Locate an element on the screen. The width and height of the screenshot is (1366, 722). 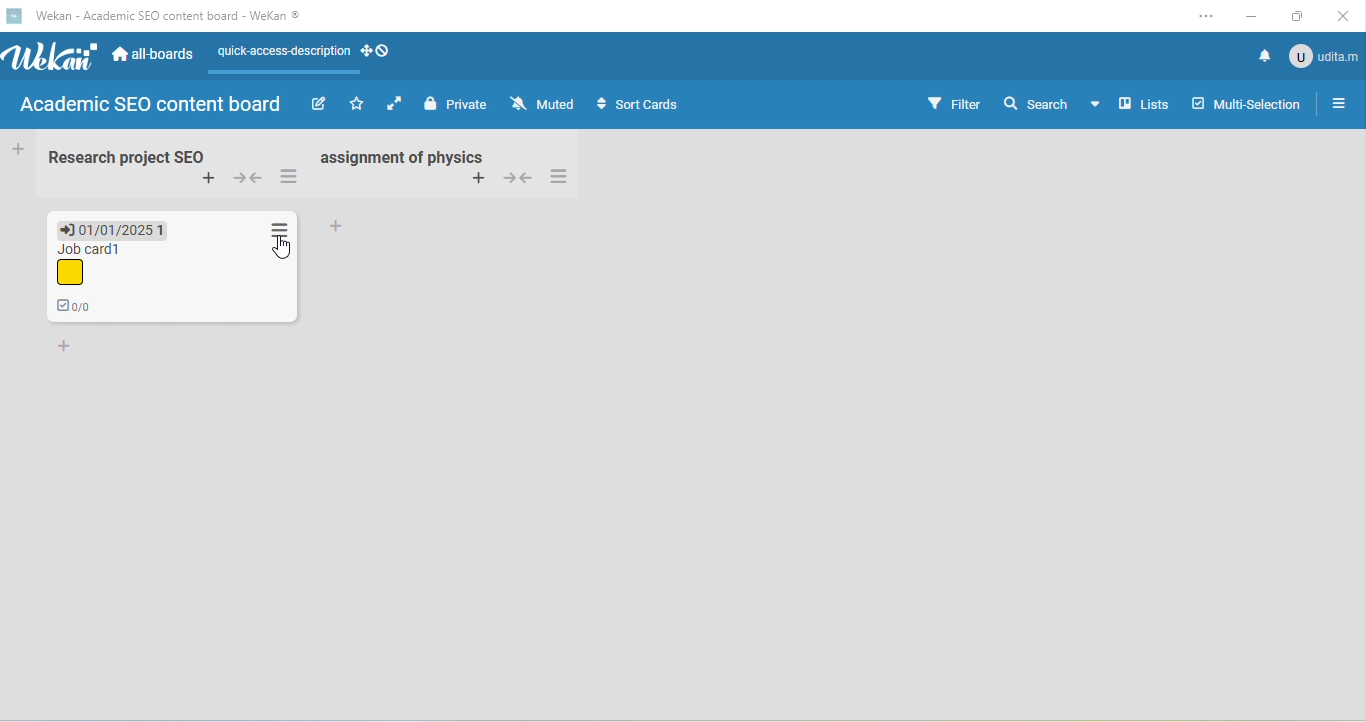
swimlane action is located at coordinates (563, 176).